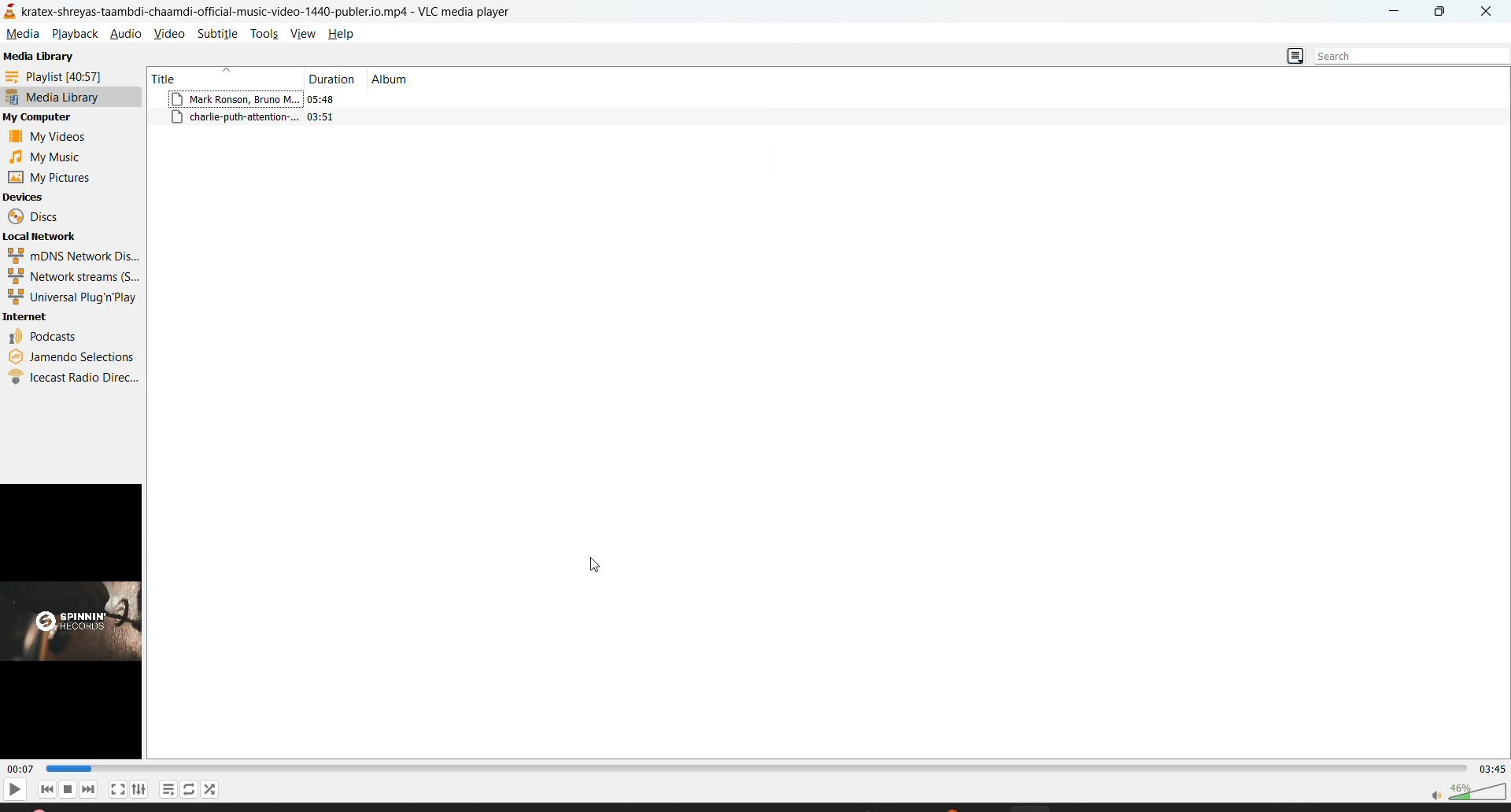 Image resolution: width=1511 pixels, height=812 pixels. Describe the element at coordinates (71, 299) in the screenshot. I see `universal plug n play` at that location.